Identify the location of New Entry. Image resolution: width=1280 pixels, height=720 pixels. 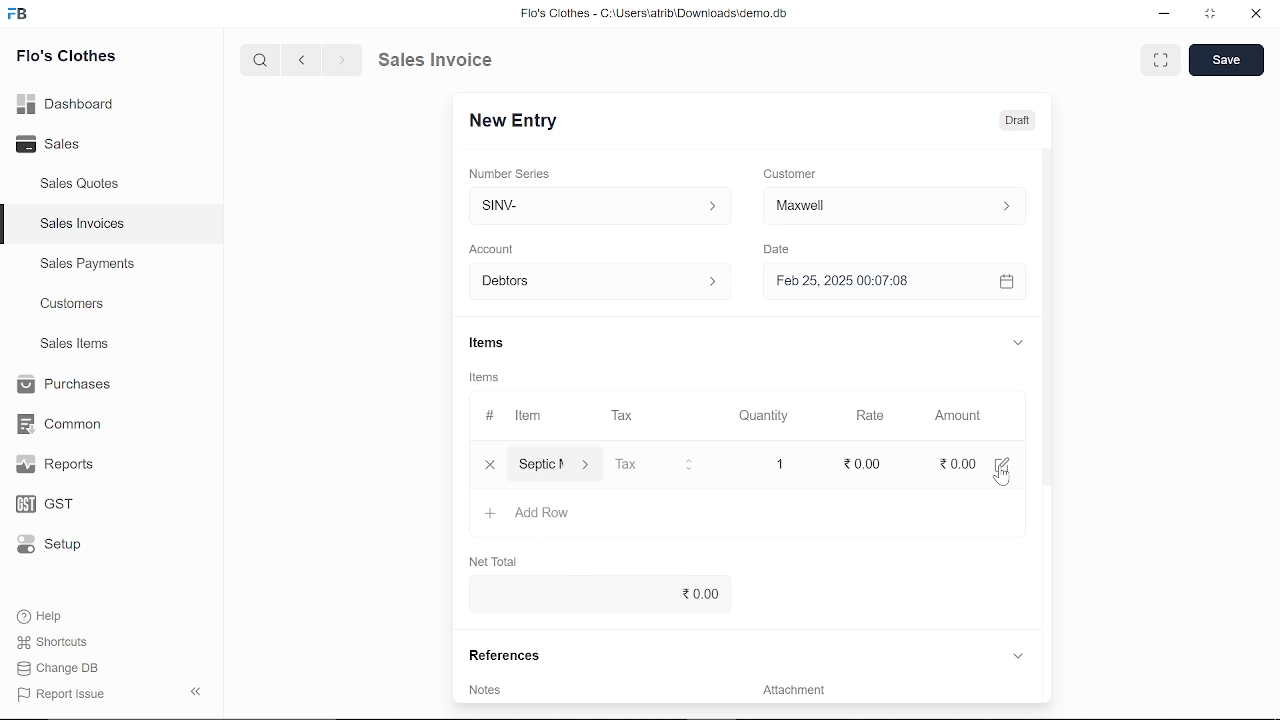
(515, 122).